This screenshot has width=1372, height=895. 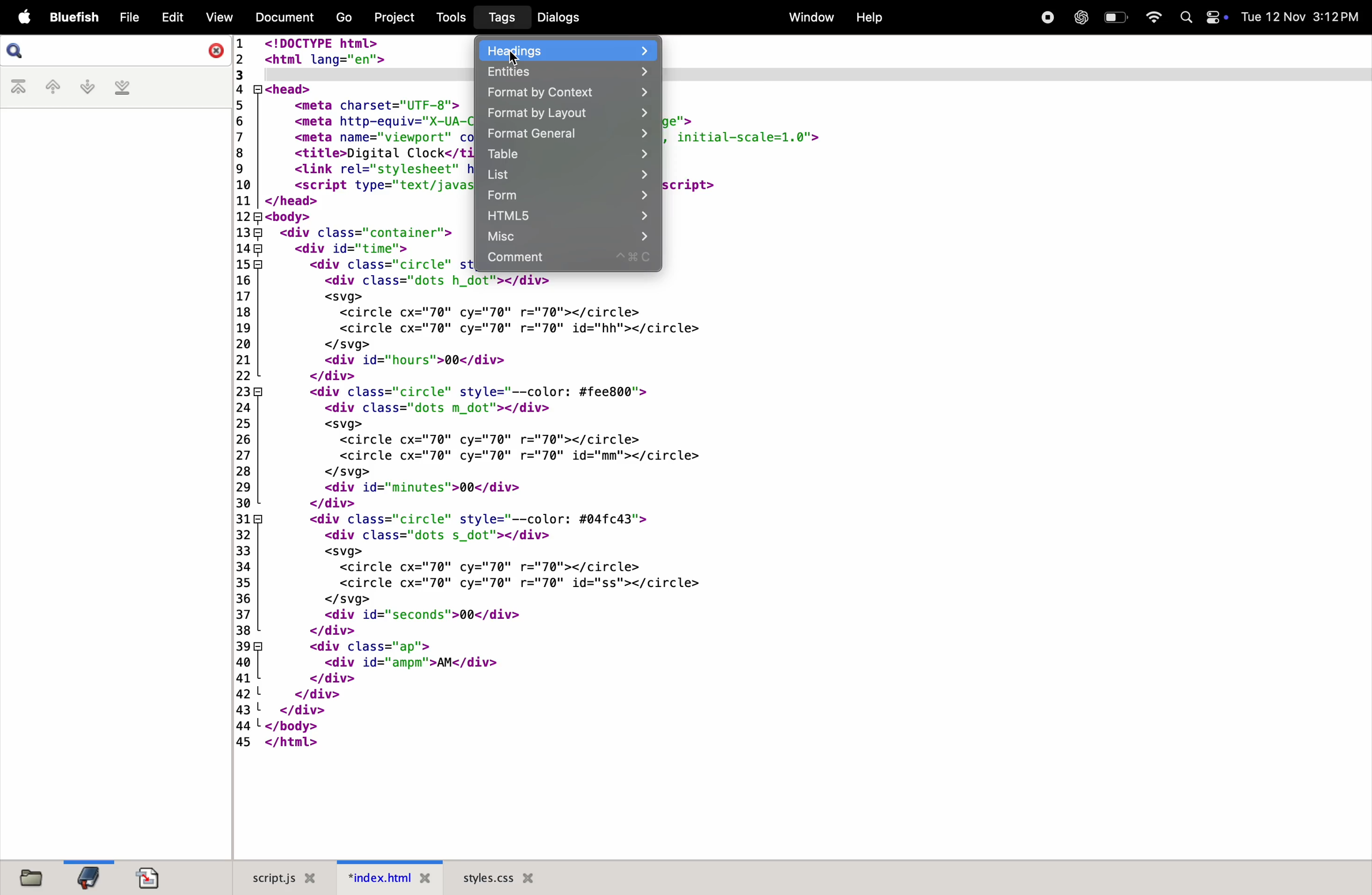 I want to click on first book mark, so click(x=21, y=88).